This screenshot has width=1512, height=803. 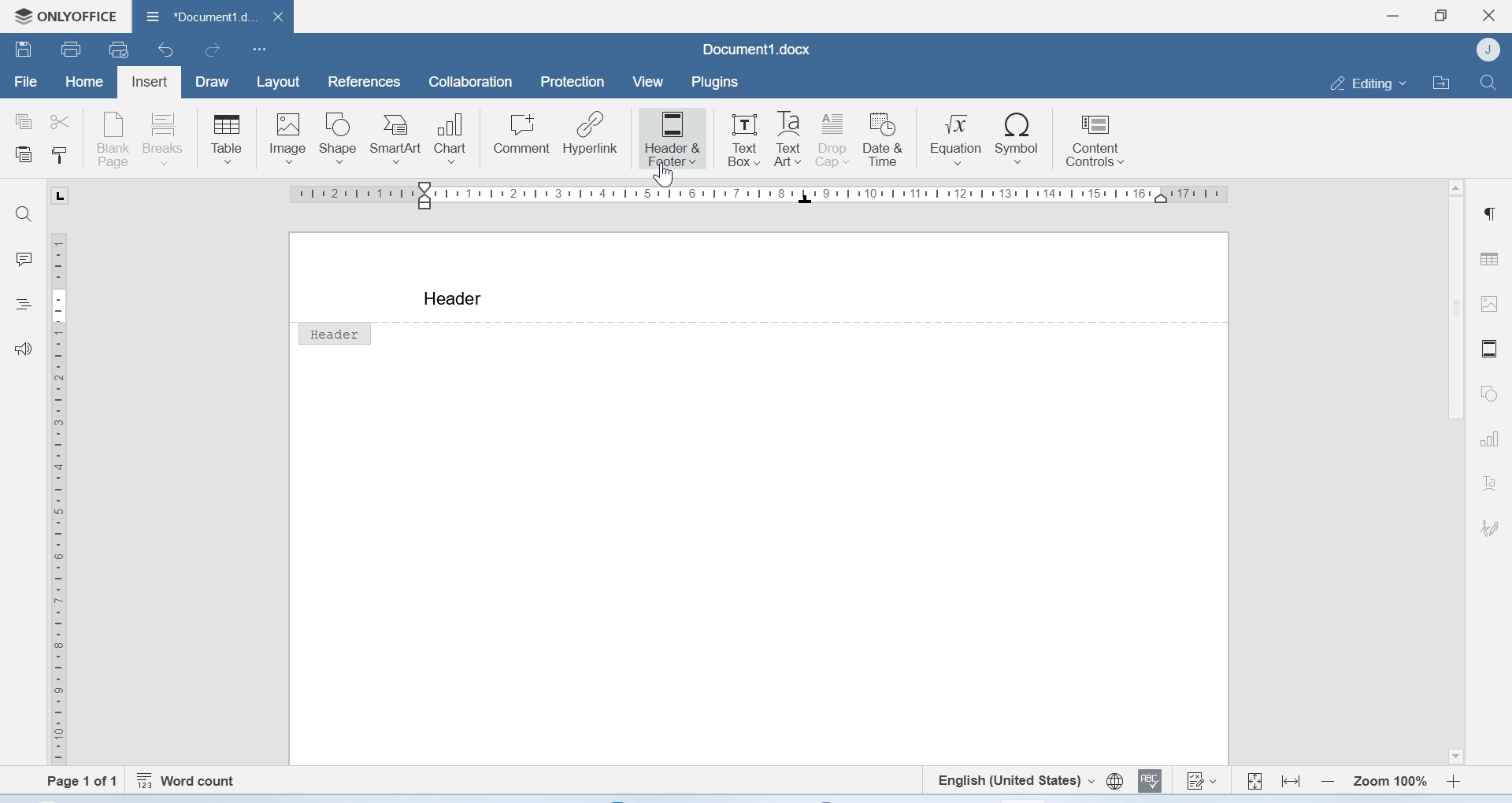 I want to click on Protection, so click(x=574, y=83).